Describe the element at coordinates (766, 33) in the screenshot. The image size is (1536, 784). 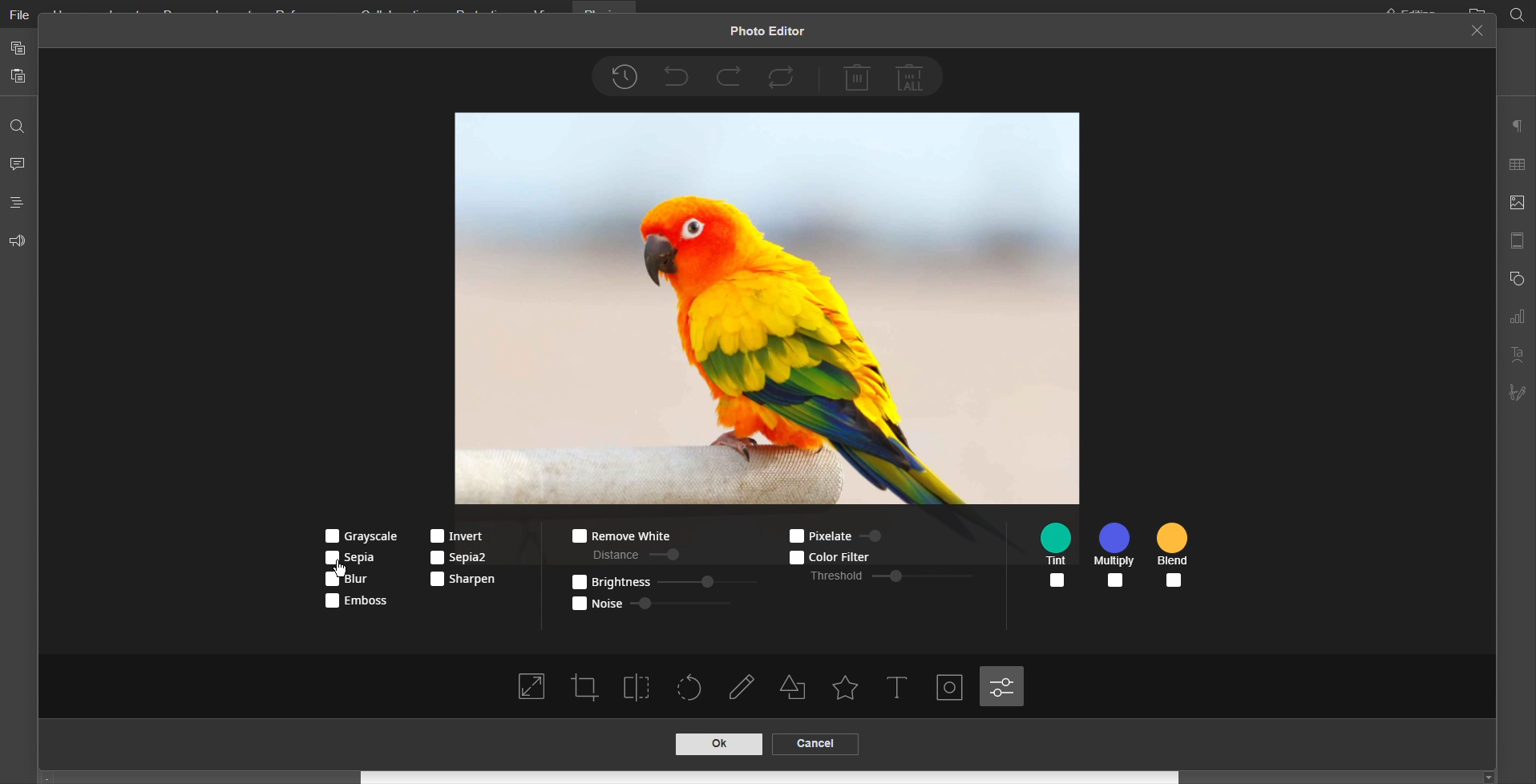
I see `Photo Editor` at that location.